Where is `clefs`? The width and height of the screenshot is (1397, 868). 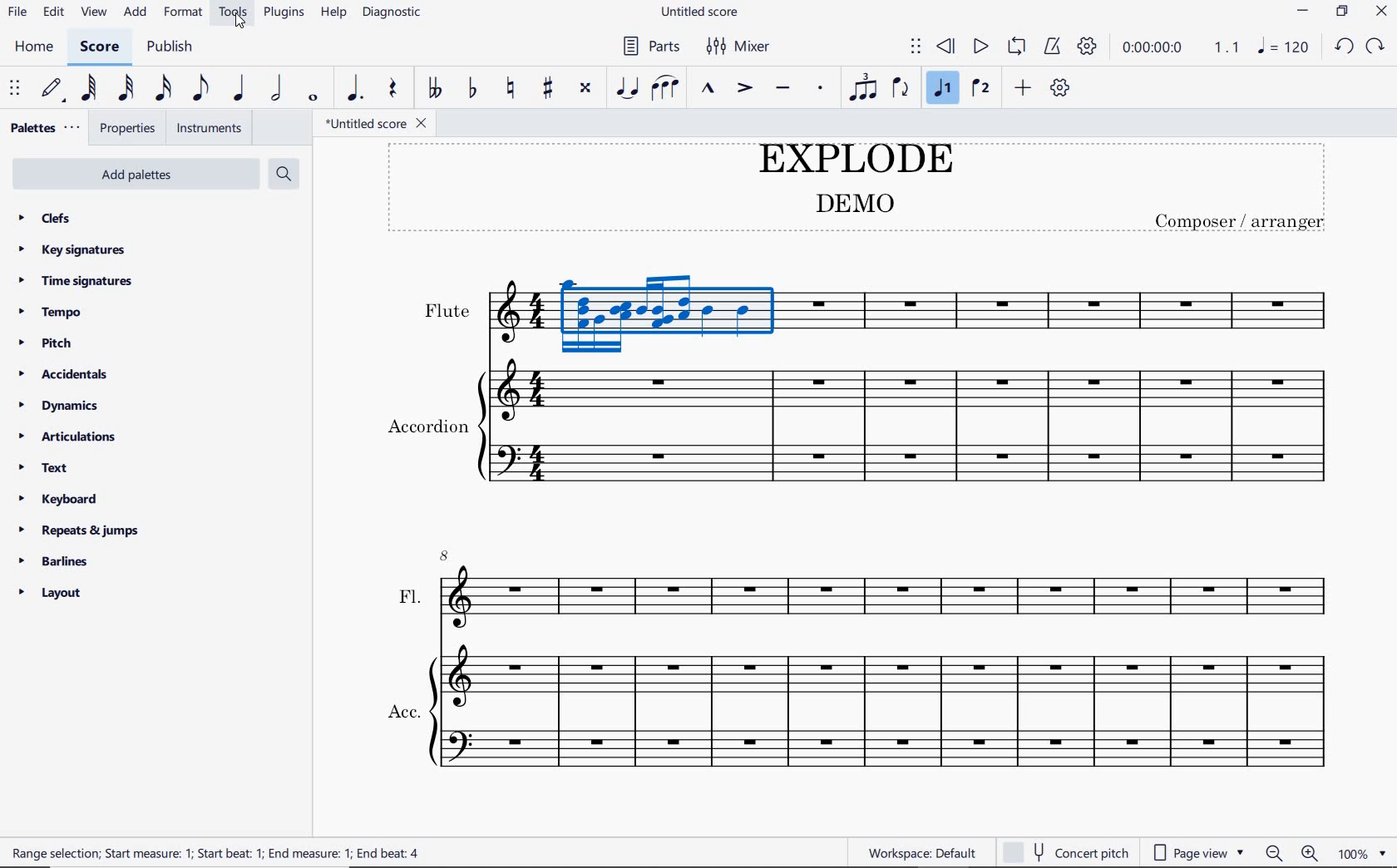
clefs is located at coordinates (45, 217).